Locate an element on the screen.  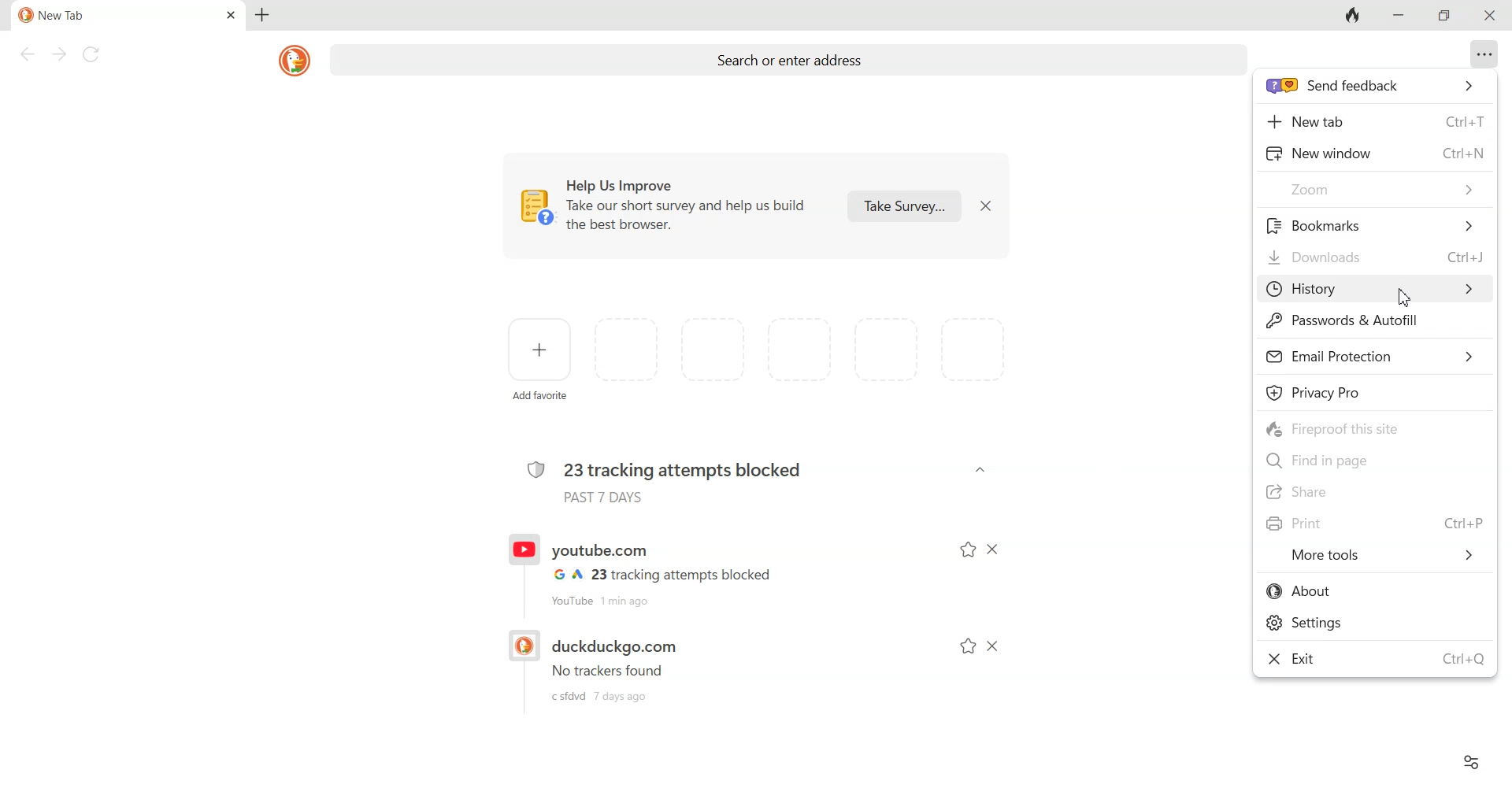
Recent history is located at coordinates (660, 665).